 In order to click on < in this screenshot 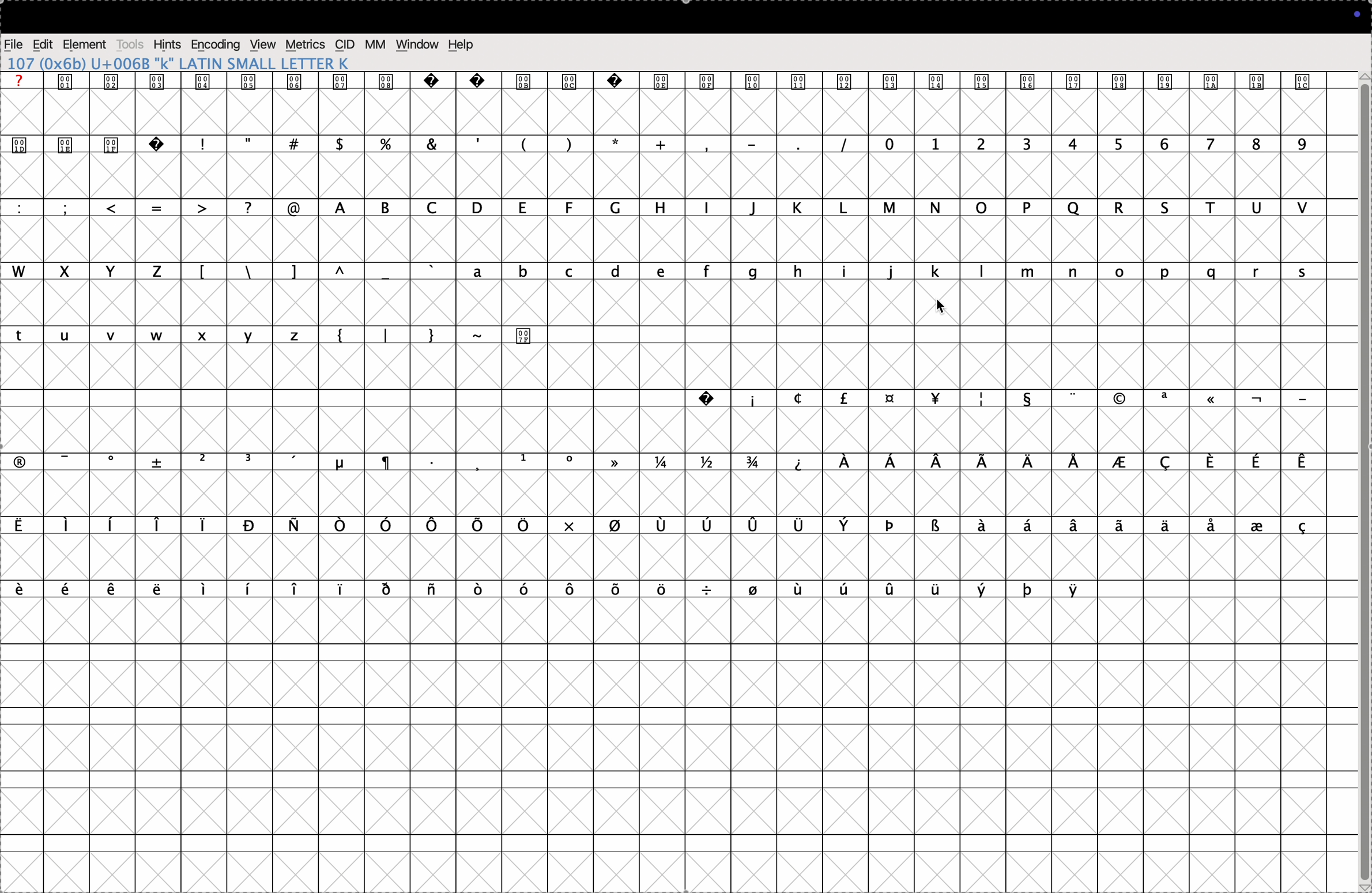, I will do `click(119, 207)`.